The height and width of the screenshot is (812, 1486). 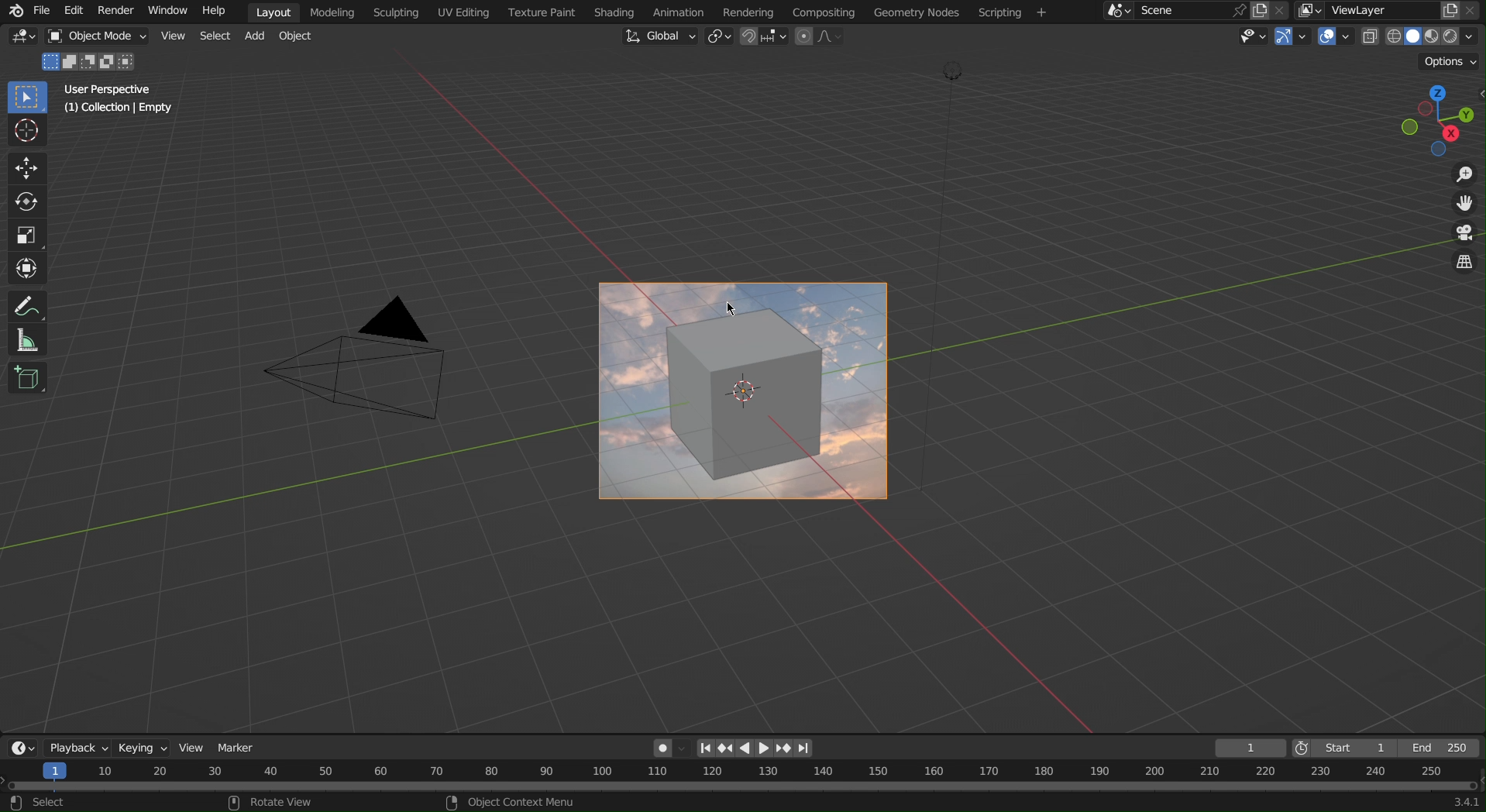 I want to click on View, so click(x=170, y=38).